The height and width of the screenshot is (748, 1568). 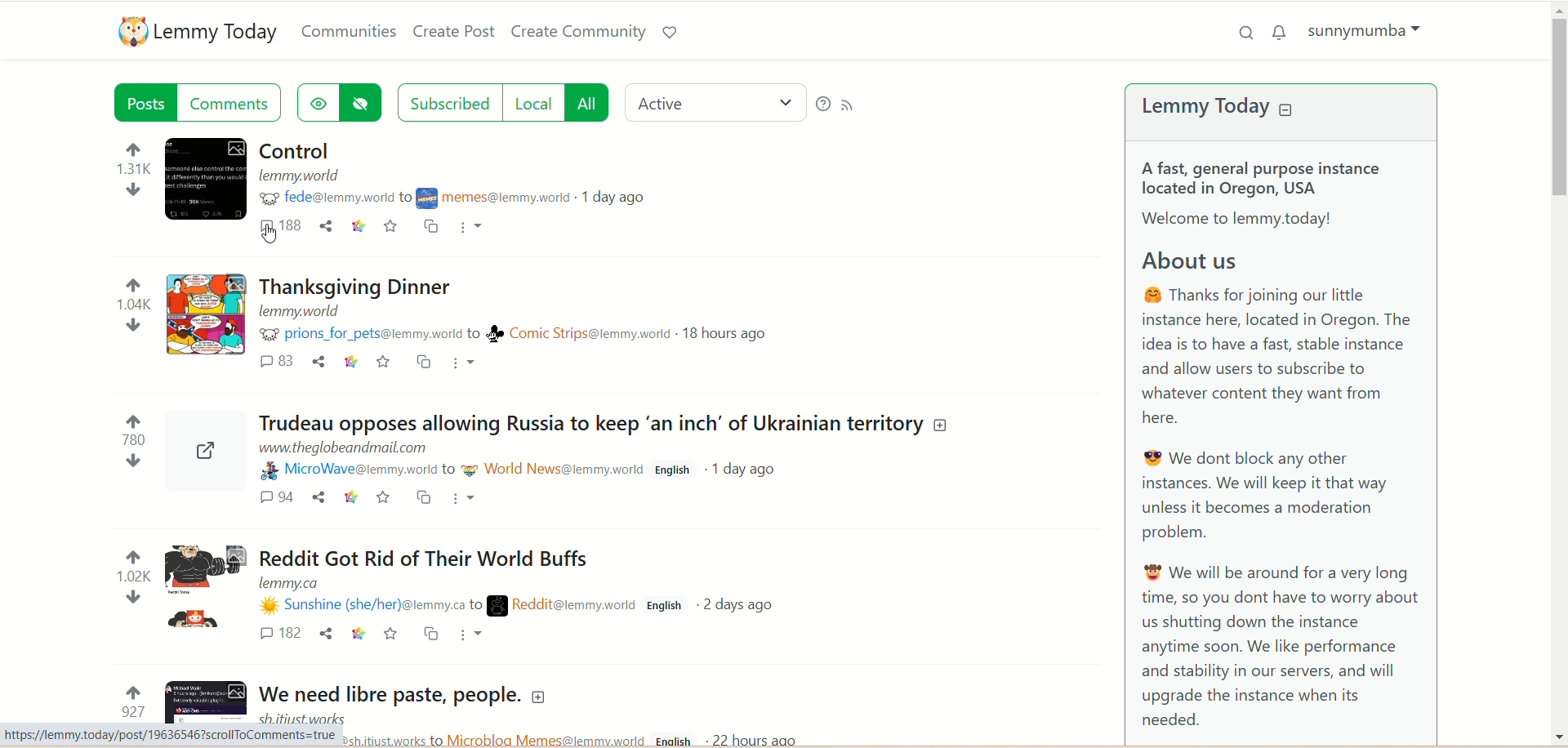 What do you see at coordinates (351, 361) in the screenshot?
I see `link` at bounding box center [351, 361].